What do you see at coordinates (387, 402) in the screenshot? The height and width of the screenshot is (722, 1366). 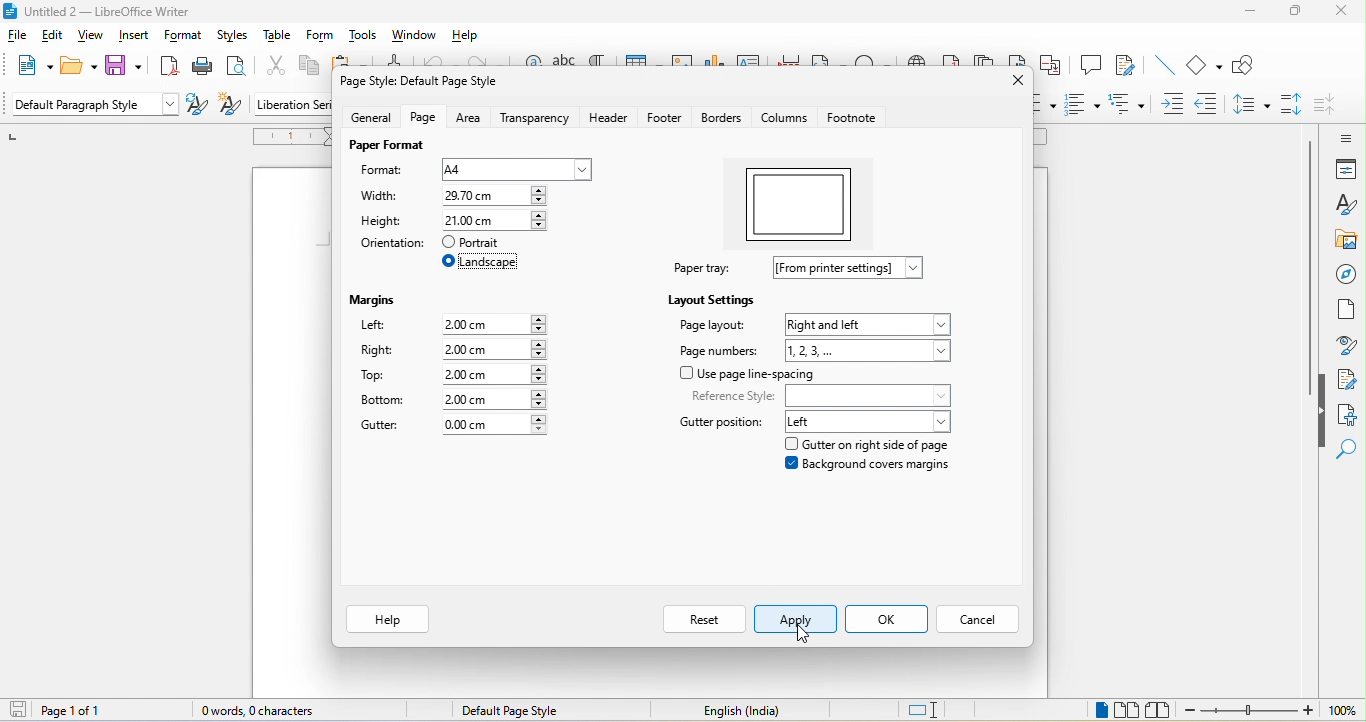 I see `bottom` at bounding box center [387, 402].